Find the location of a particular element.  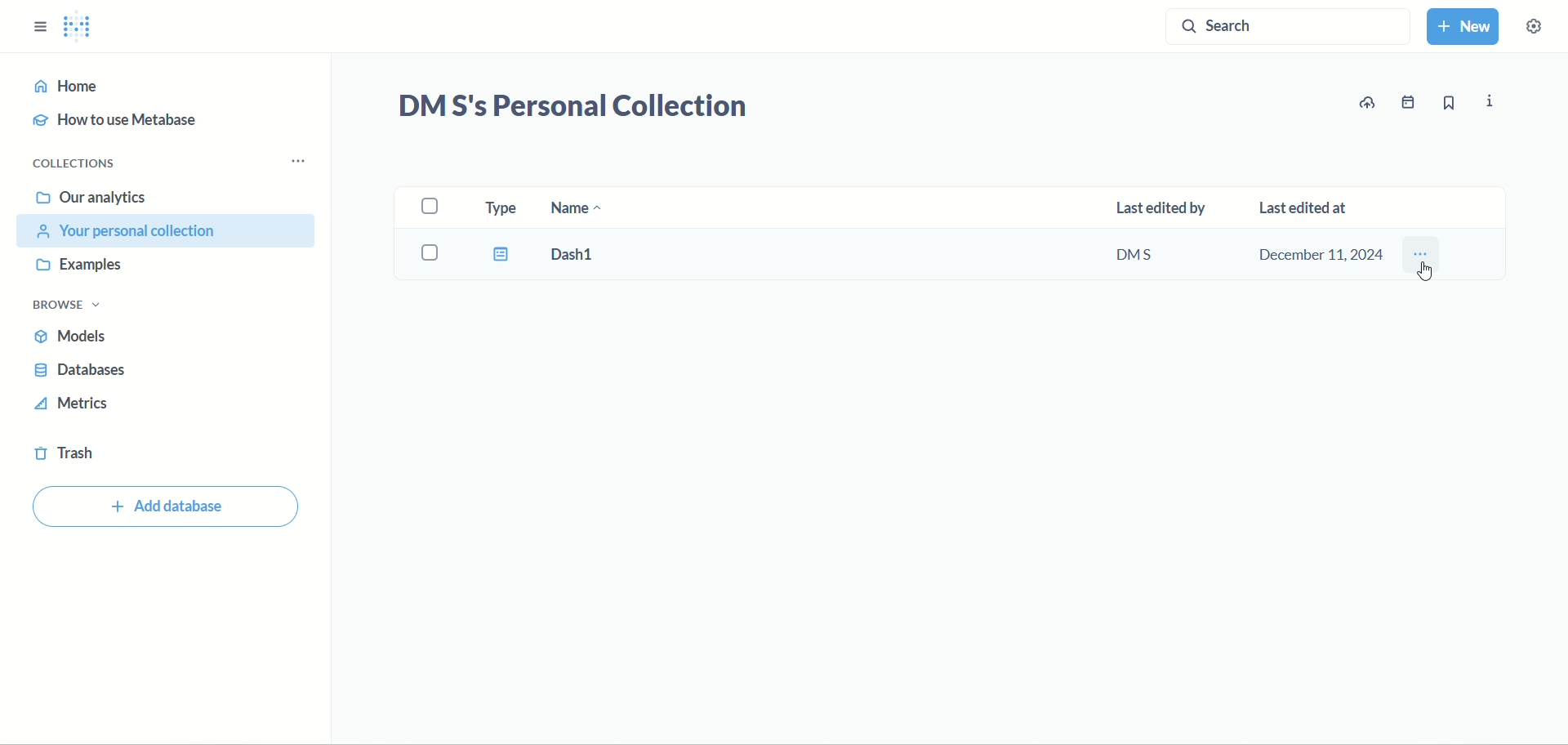

Dash1  is located at coordinates (589, 255).